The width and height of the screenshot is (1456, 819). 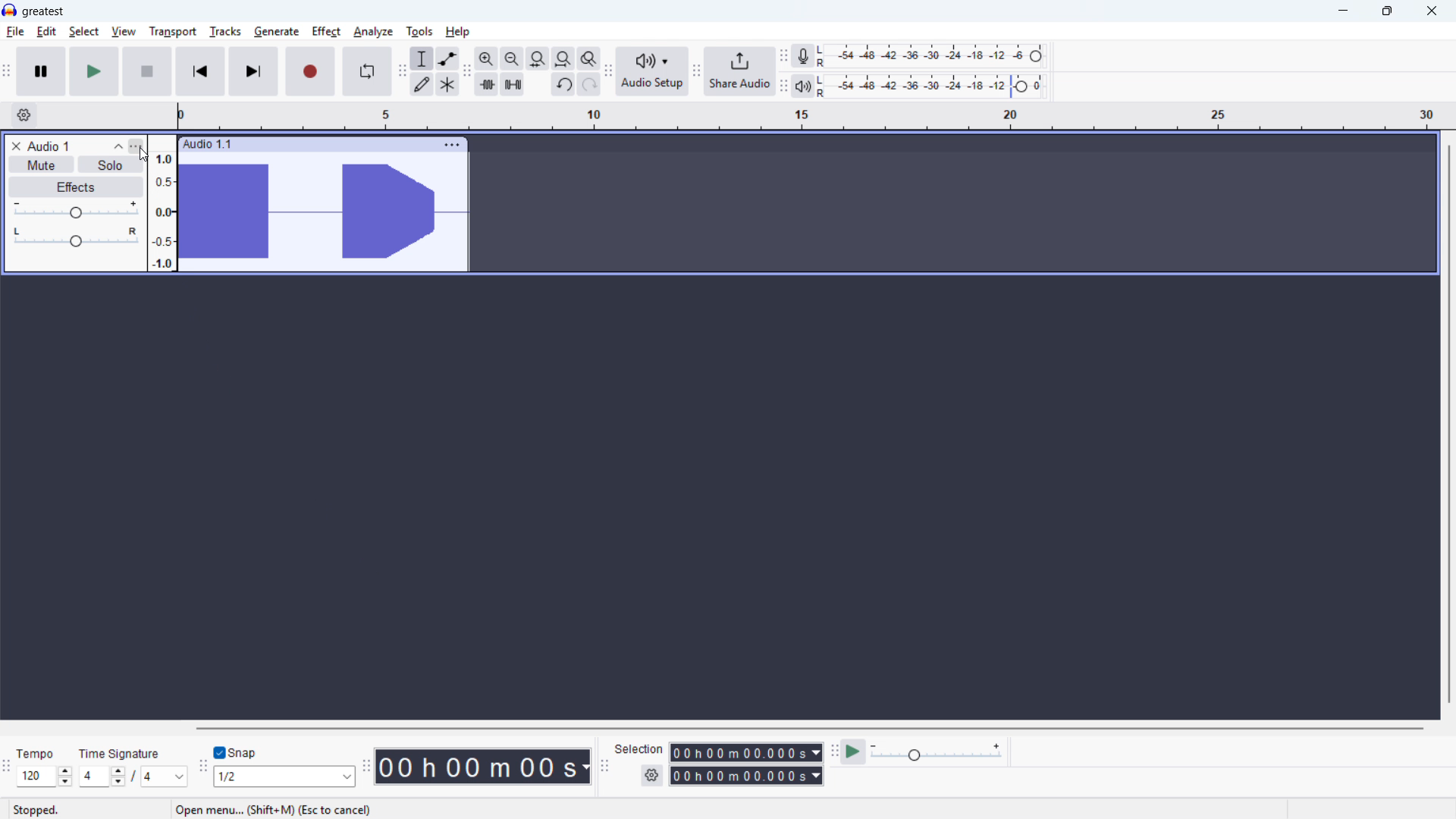 I want to click on Stop , so click(x=148, y=71).